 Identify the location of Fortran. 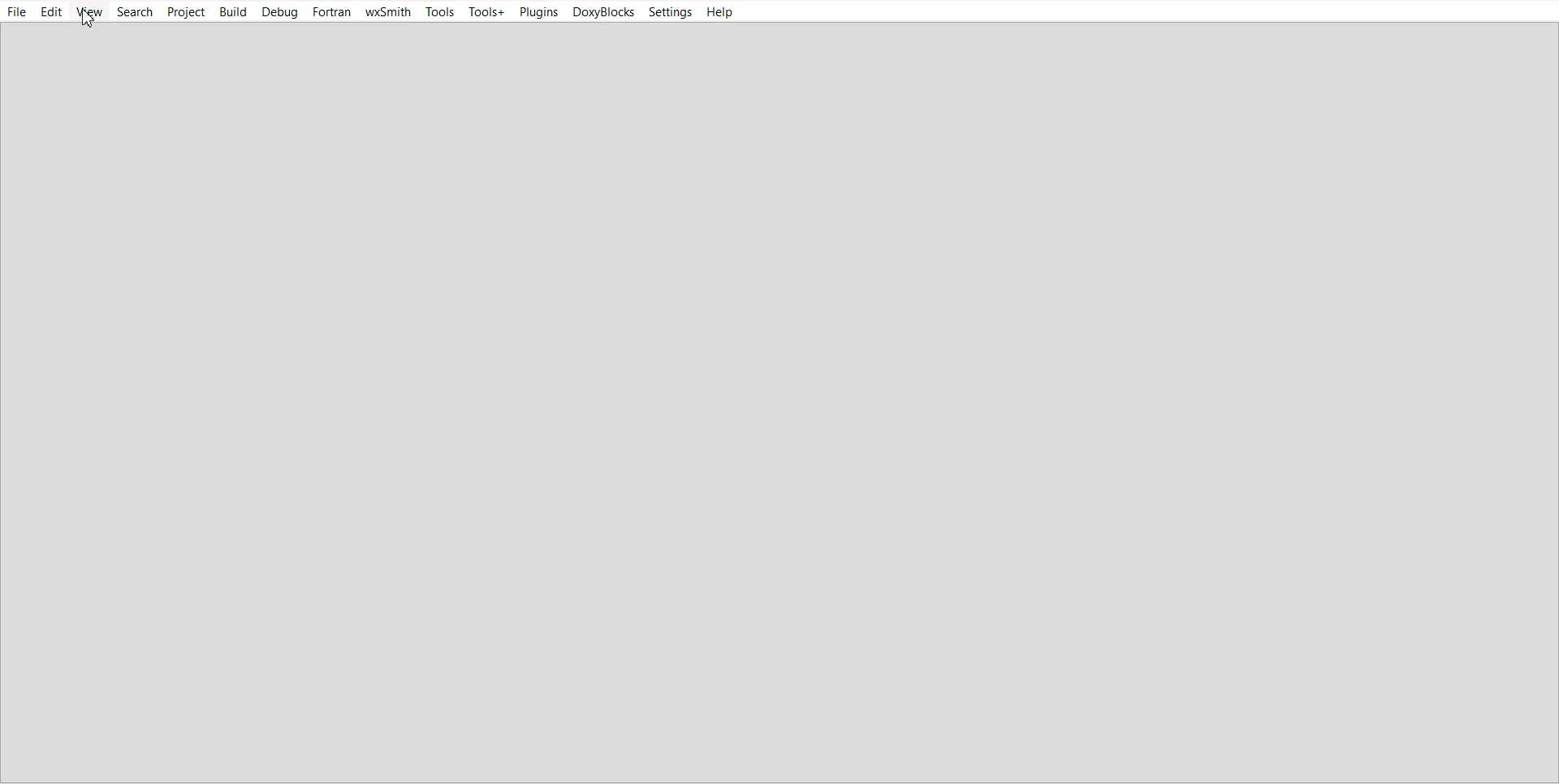
(332, 12).